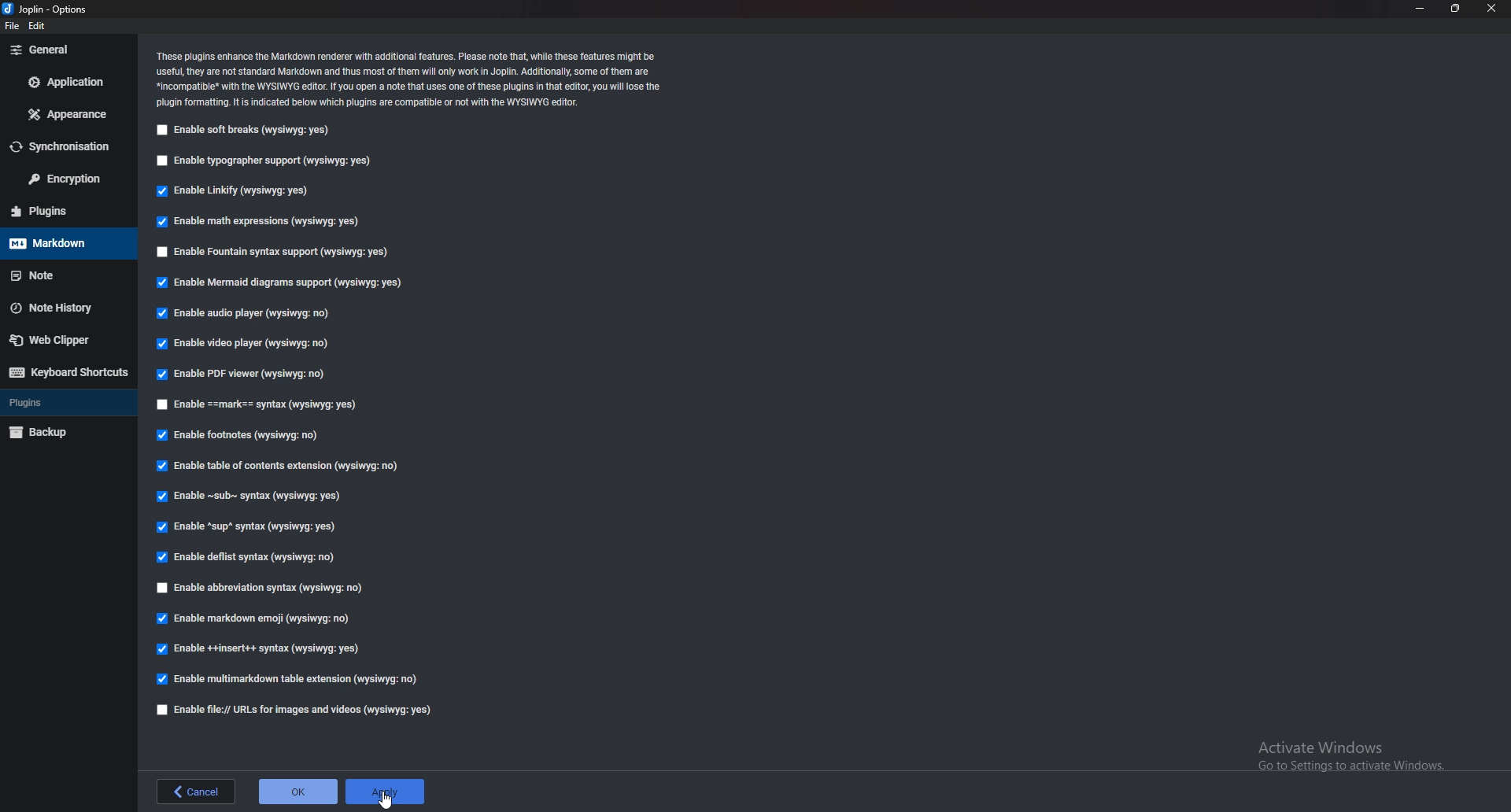 This screenshot has height=812, width=1511. What do you see at coordinates (60, 307) in the screenshot?
I see `Note history` at bounding box center [60, 307].